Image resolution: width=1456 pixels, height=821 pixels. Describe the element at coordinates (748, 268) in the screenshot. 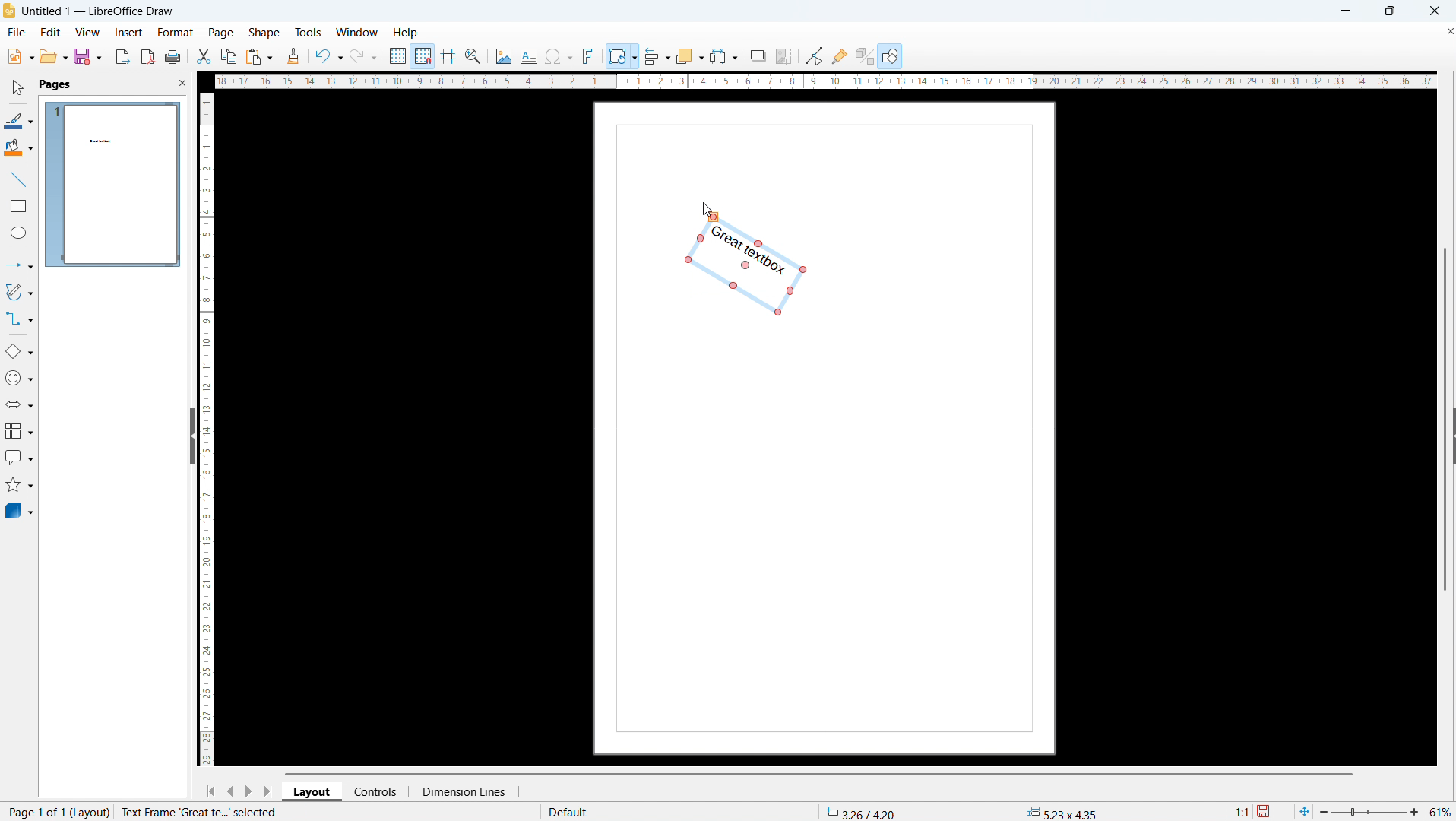

I see `Text box 30 degree rotated ` at that location.